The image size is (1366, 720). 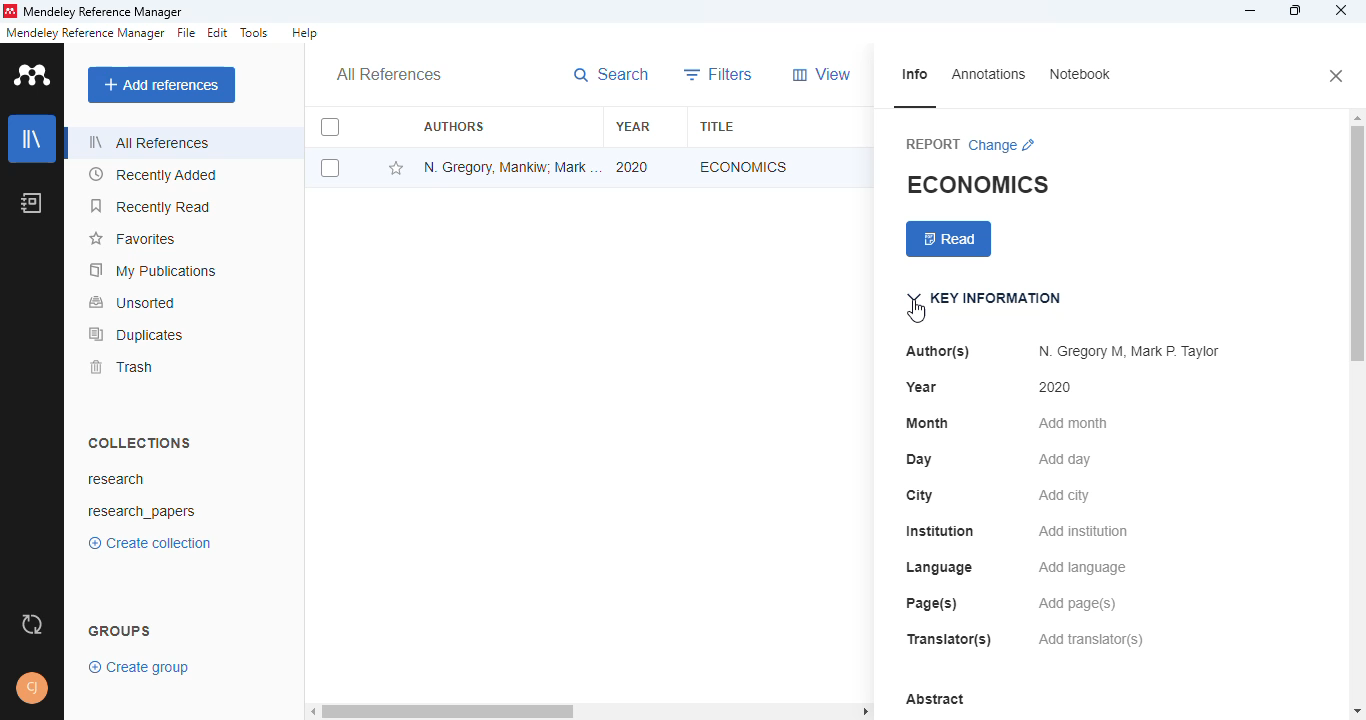 I want to click on read, so click(x=949, y=239).